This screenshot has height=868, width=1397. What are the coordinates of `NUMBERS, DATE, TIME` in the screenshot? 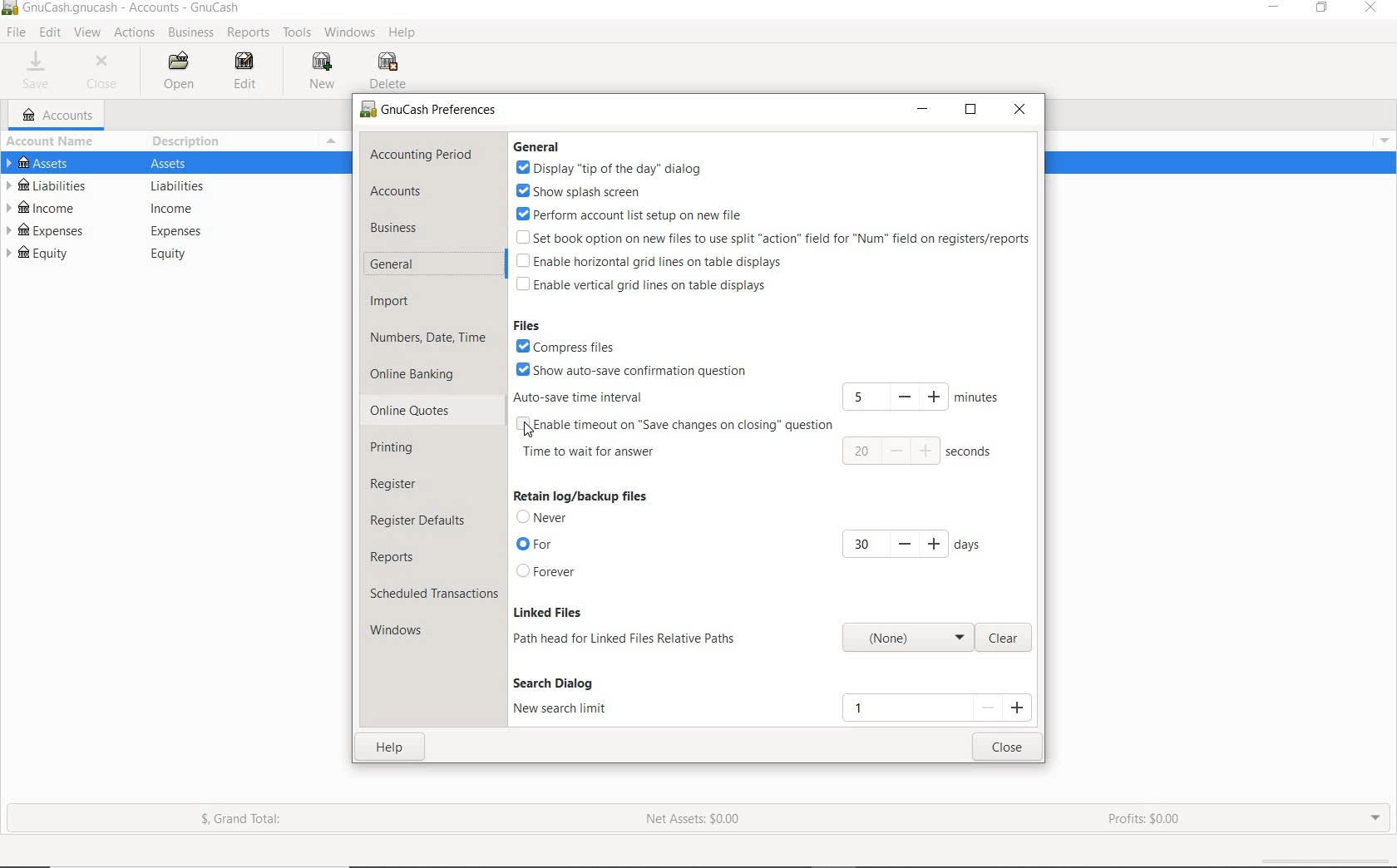 It's located at (430, 339).